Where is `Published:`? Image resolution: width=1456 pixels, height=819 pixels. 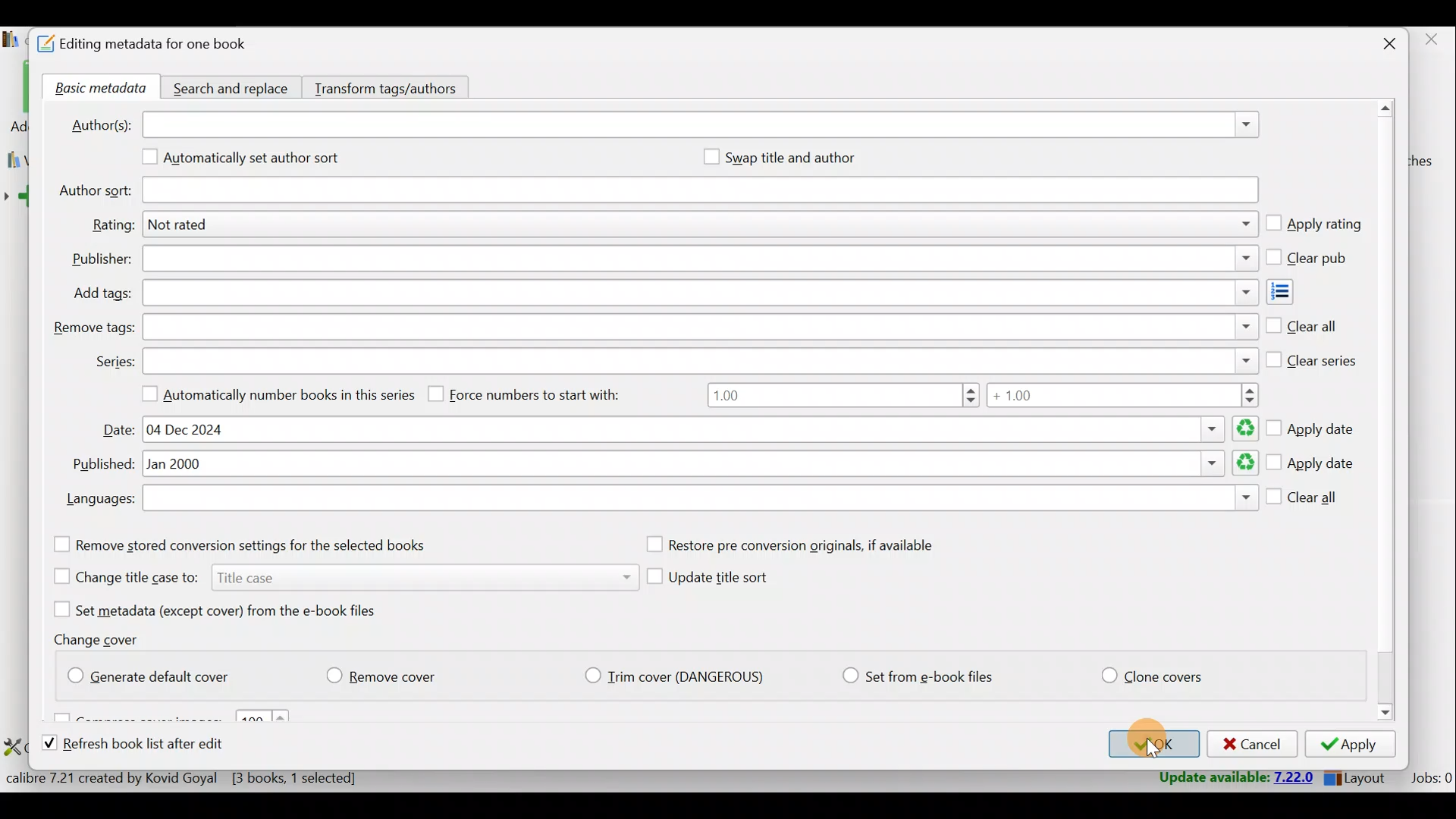
Published: is located at coordinates (100, 465).